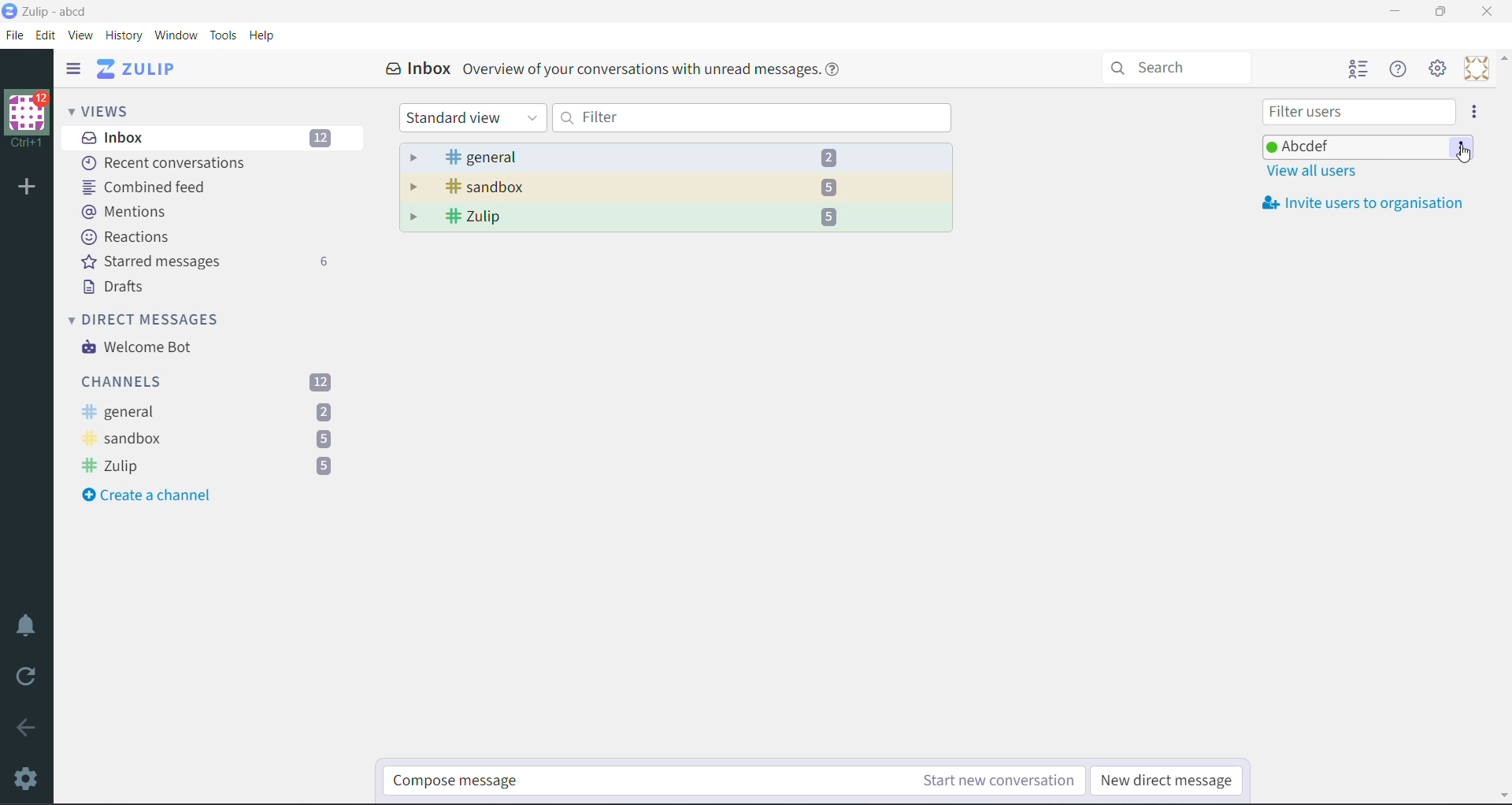  I want to click on Vertical Scroll Bar, so click(1502, 427).